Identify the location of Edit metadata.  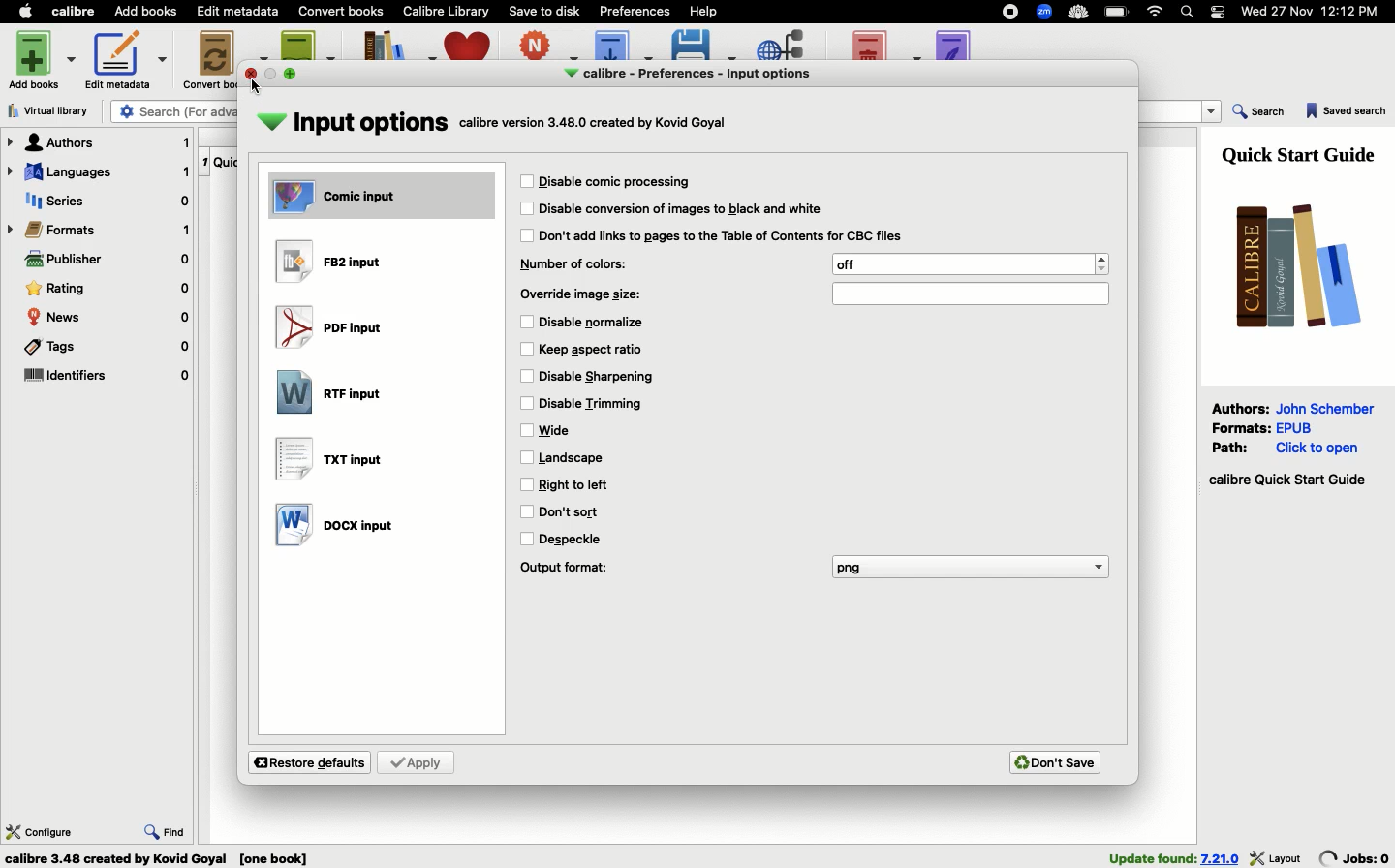
(126, 60).